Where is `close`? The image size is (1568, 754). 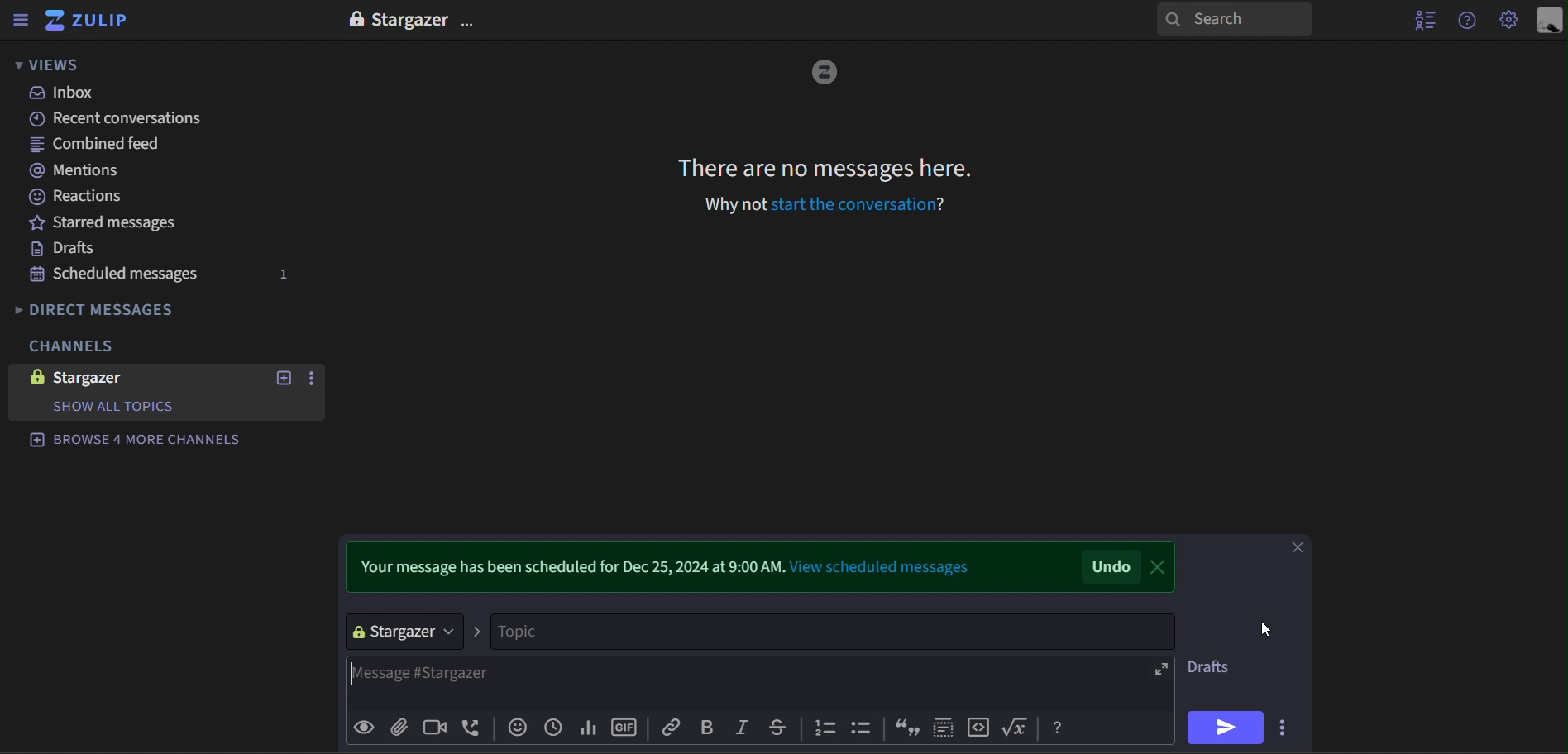
close is located at coordinates (1299, 551).